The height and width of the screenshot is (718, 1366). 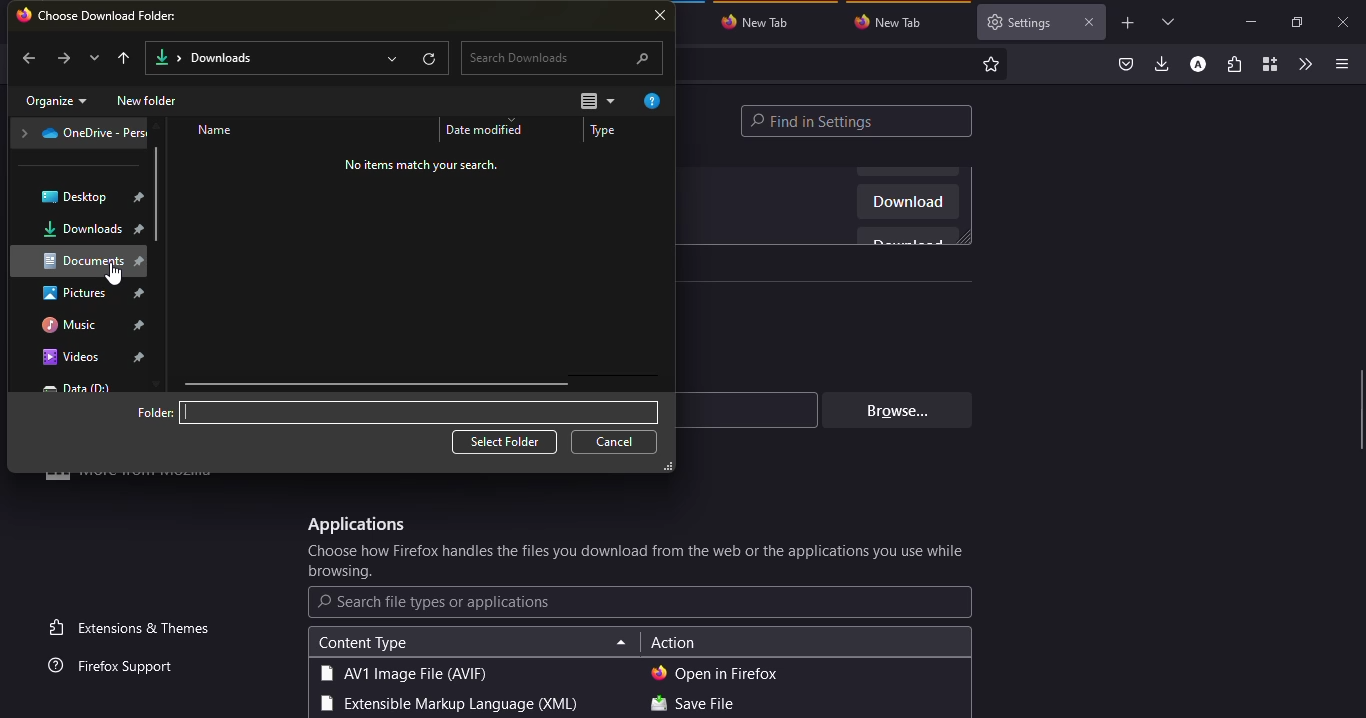 What do you see at coordinates (597, 102) in the screenshot?
I see `sort` at bounding box center [597, 102].